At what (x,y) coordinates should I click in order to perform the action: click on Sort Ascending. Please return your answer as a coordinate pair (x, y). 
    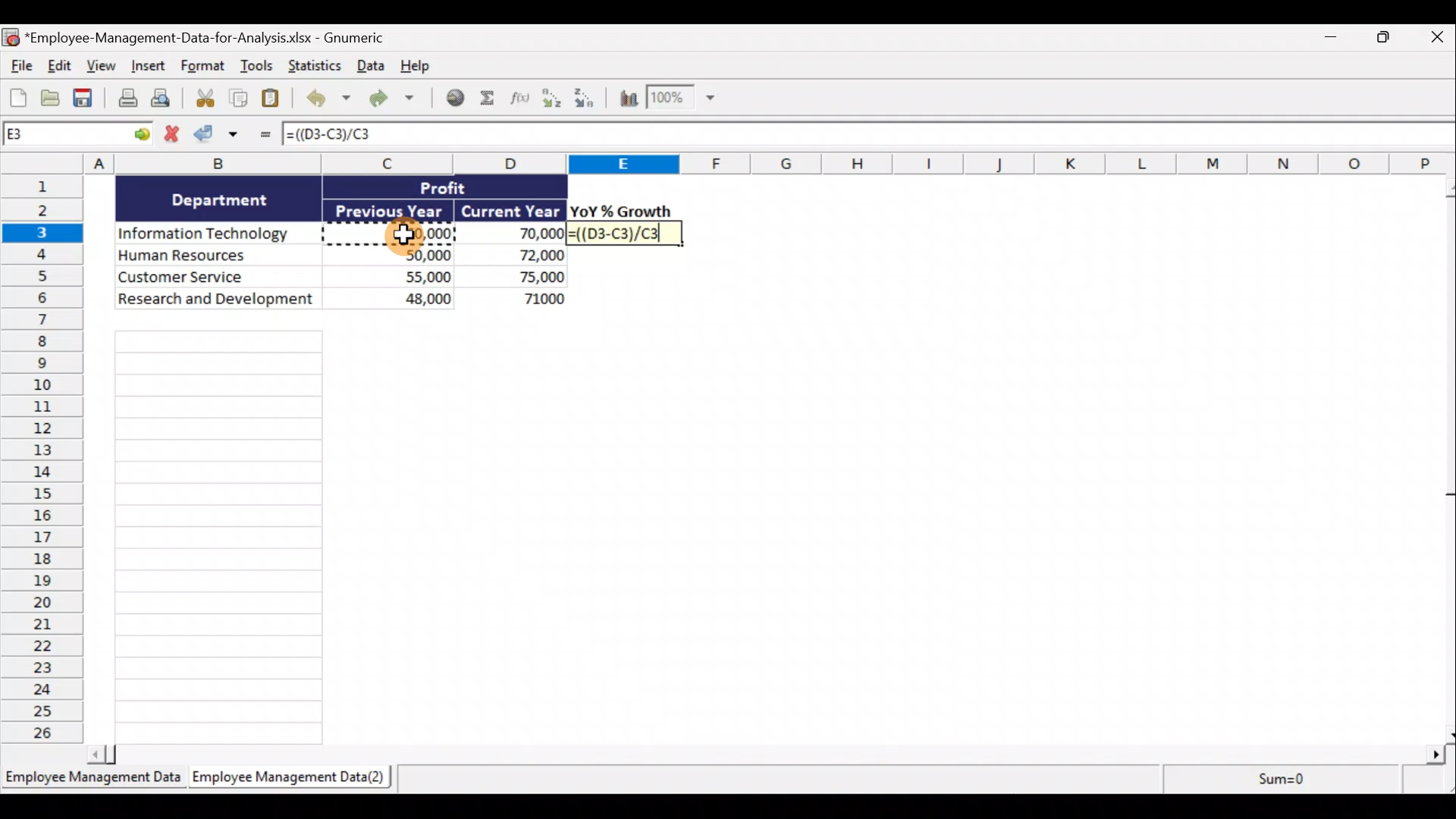
    Looking at the image, I should click on (553, 100).